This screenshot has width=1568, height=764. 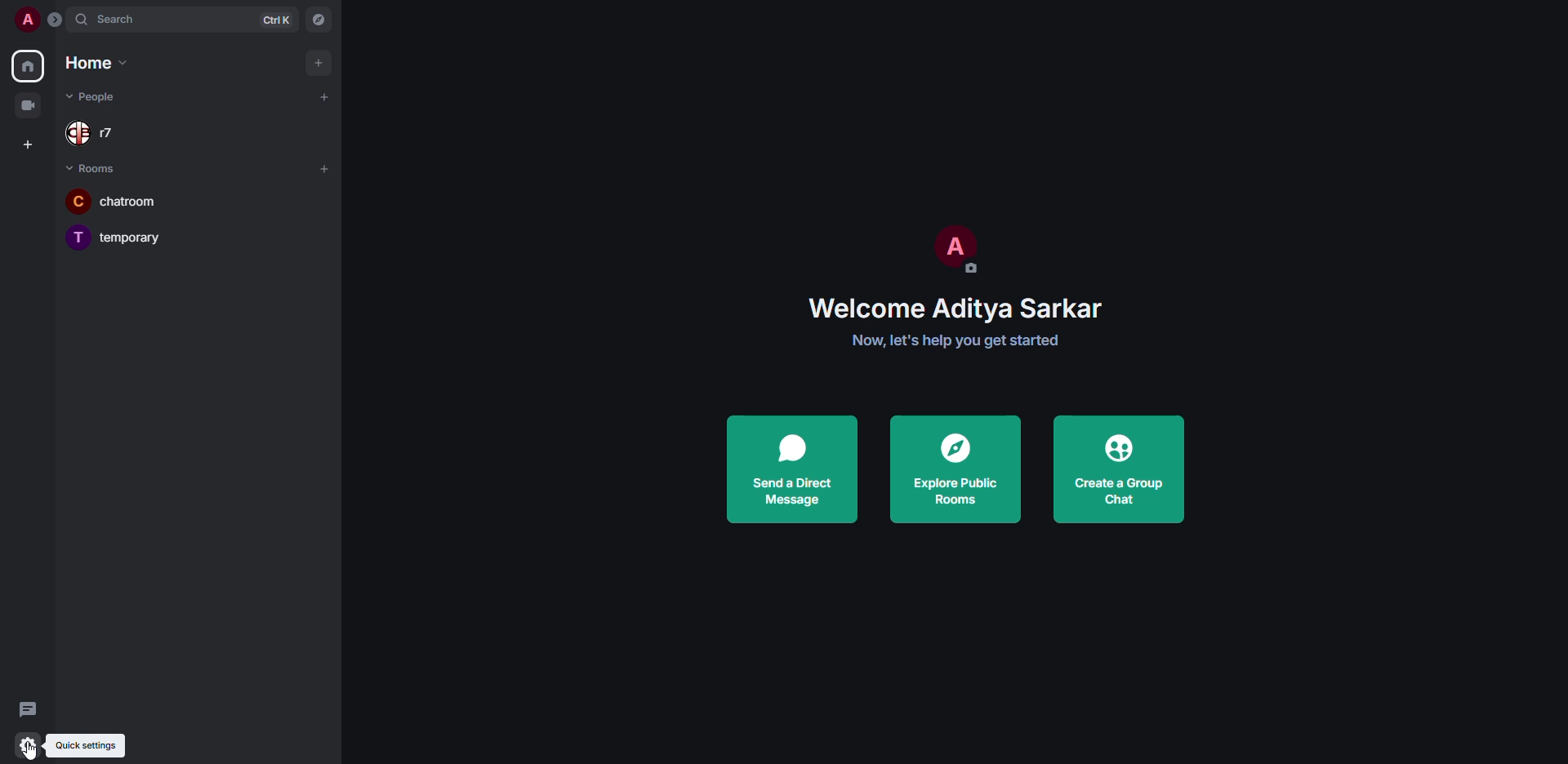 I want to click on video room, so click(x=34, y=105).